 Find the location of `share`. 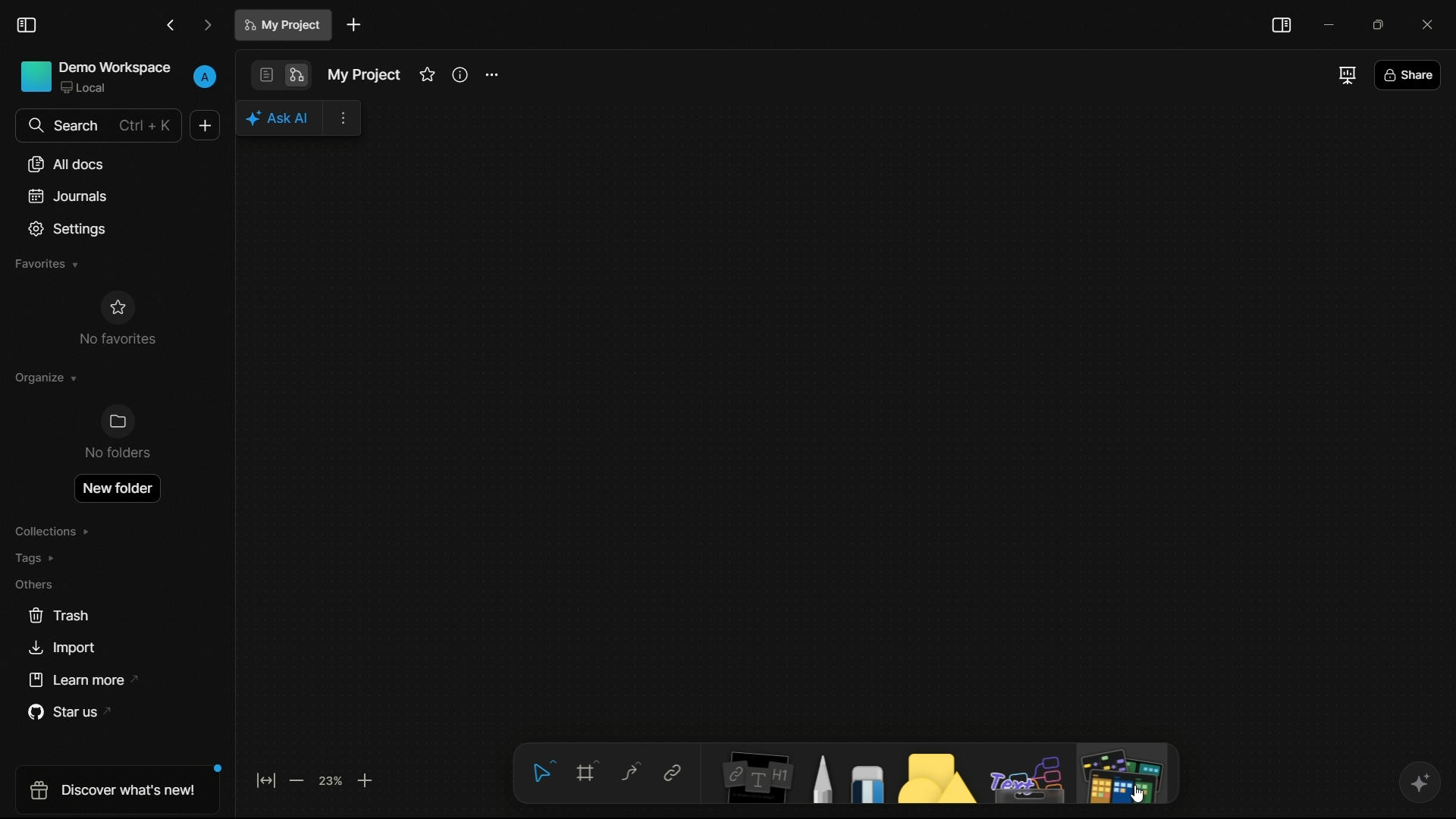

share is located at coordinates (1407, 77).